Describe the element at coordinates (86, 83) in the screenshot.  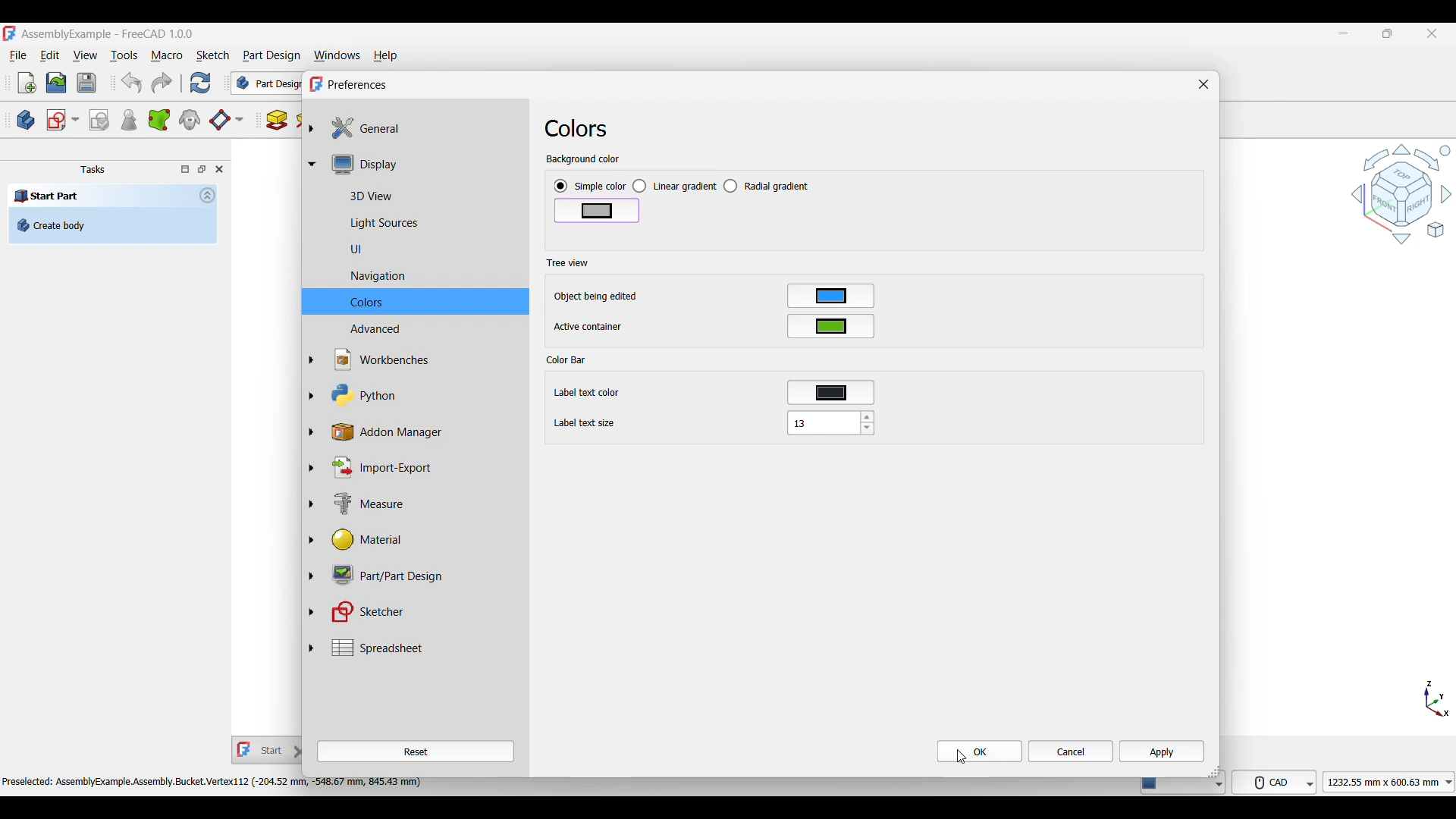
I see `Save` at that location.